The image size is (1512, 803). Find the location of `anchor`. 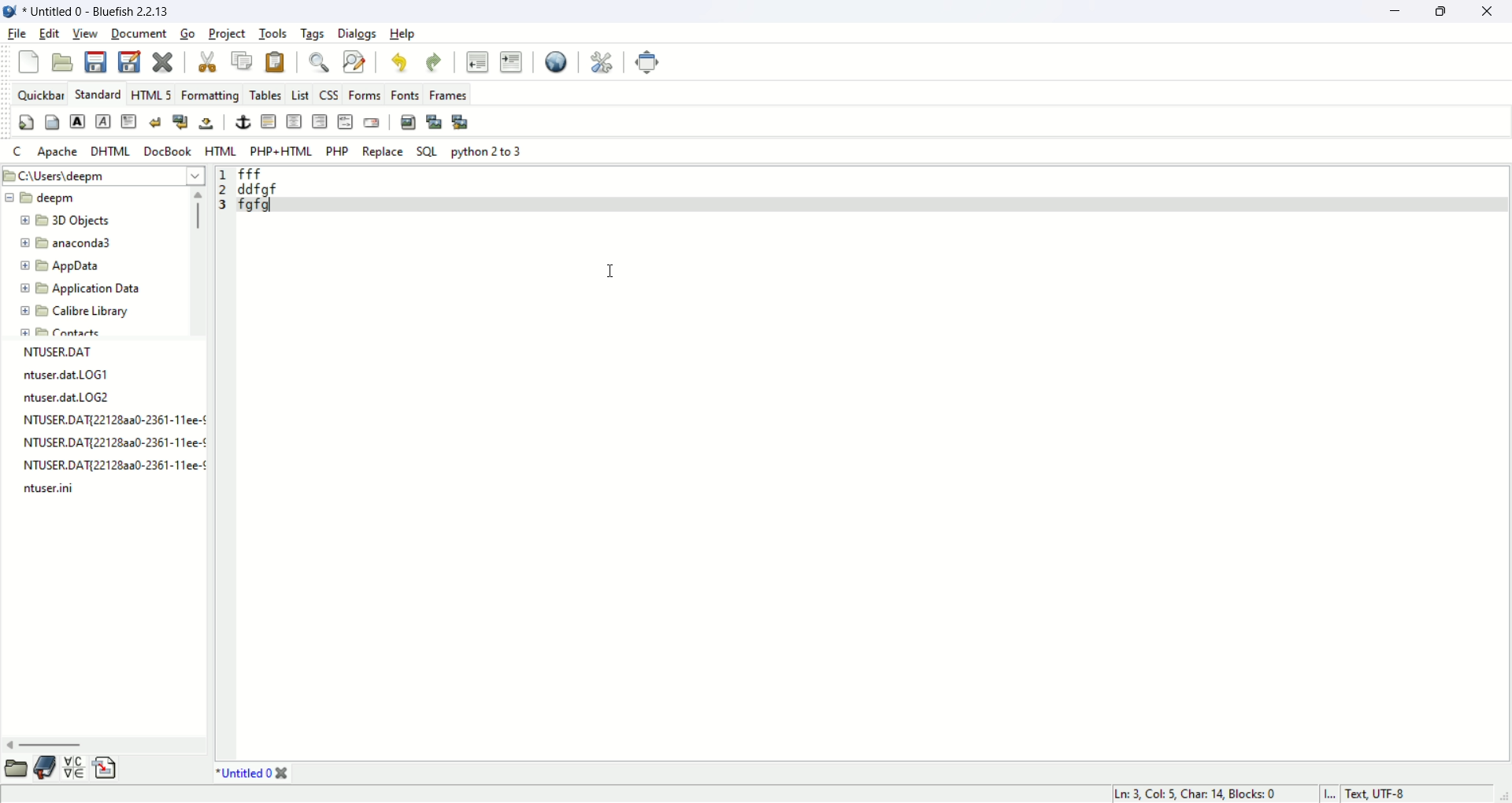

anchor is located at coordinates (240, 124).